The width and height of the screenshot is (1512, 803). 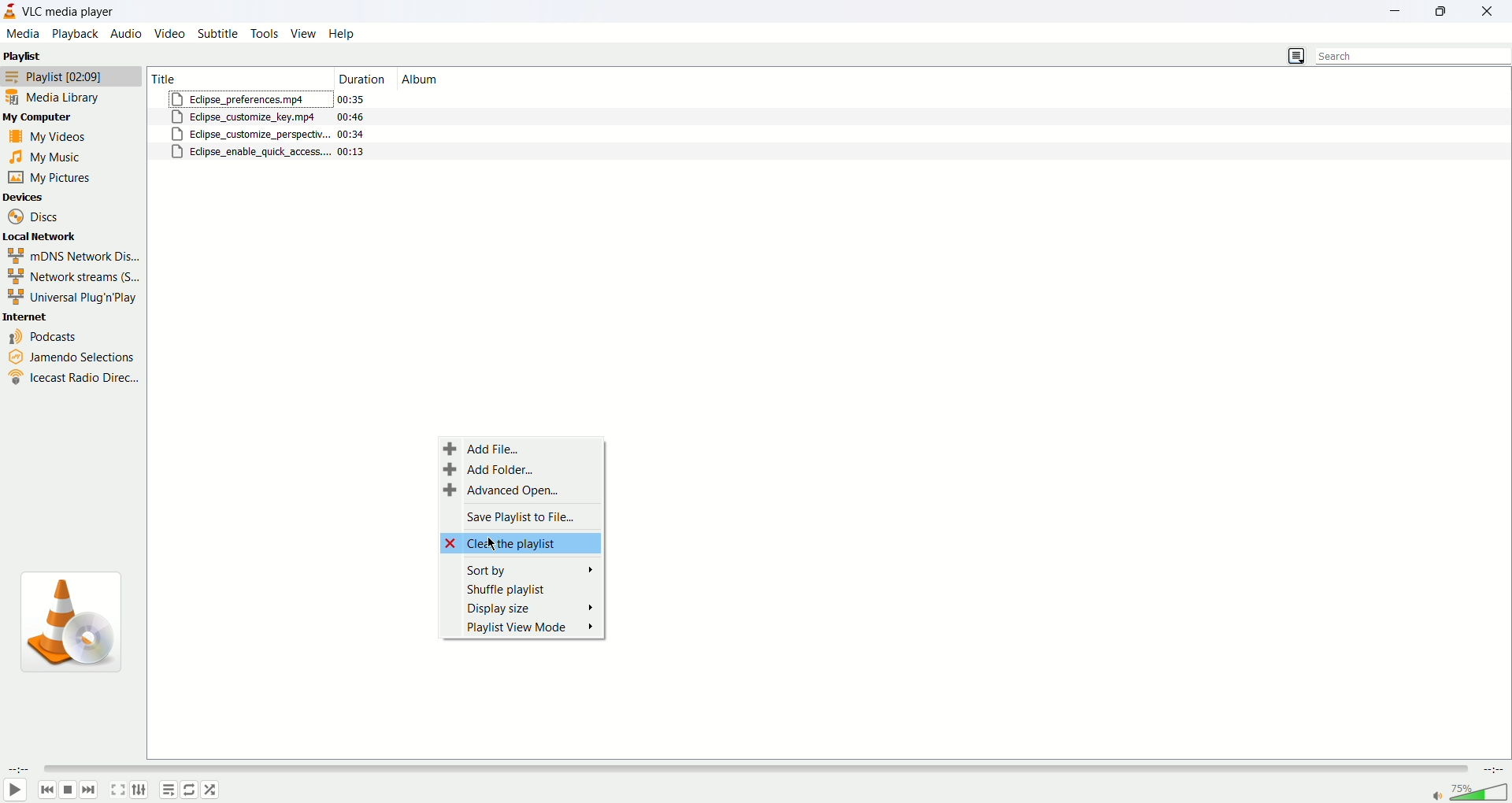 What do you see at coordinates (74, 276) in the screenshot?
I see `network streams` at bounding box center [74, 276].